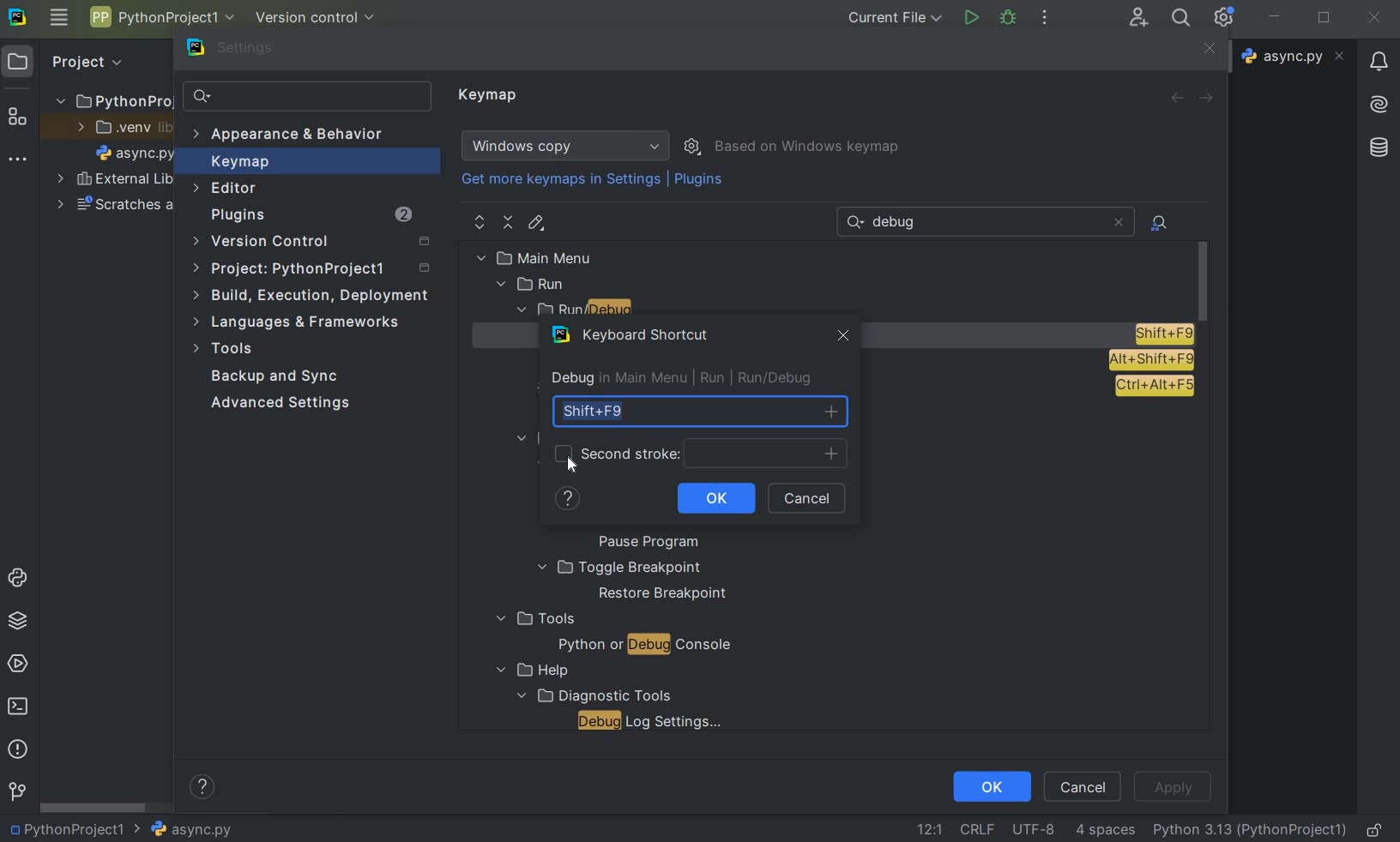 This screenshot has width=1400, height=842. Describe the element at coordinates (310, 217) in the screenshot. I see `plugins` at that location.